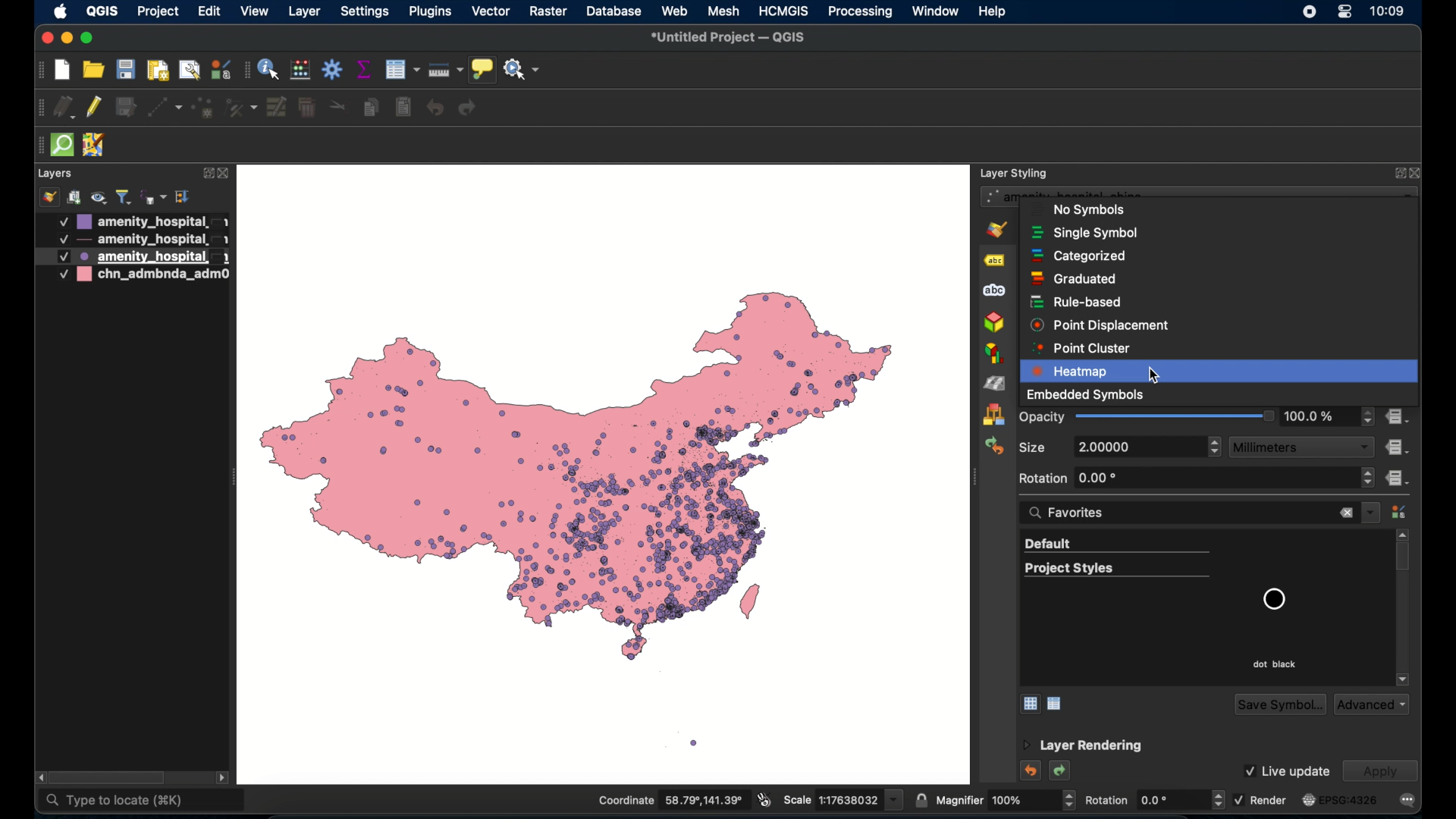  Describe the element at coordinates (1274, 664) in the screenshot. I see `dot black` at that location.